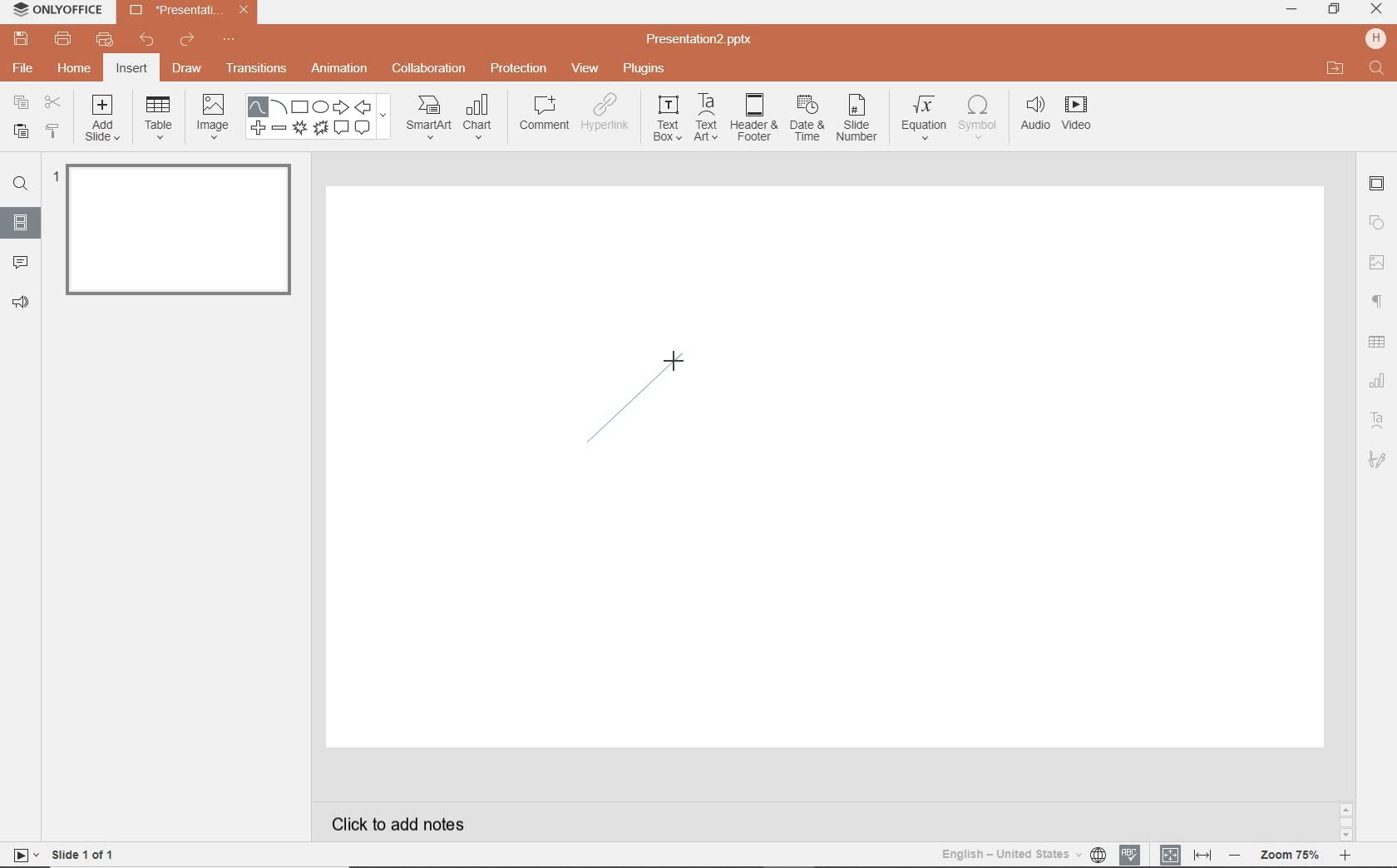 This screenshot has width=1397, height=868. Describe the element at coordinates (73, 70) in the screenshot. I see `HOME` at that location.